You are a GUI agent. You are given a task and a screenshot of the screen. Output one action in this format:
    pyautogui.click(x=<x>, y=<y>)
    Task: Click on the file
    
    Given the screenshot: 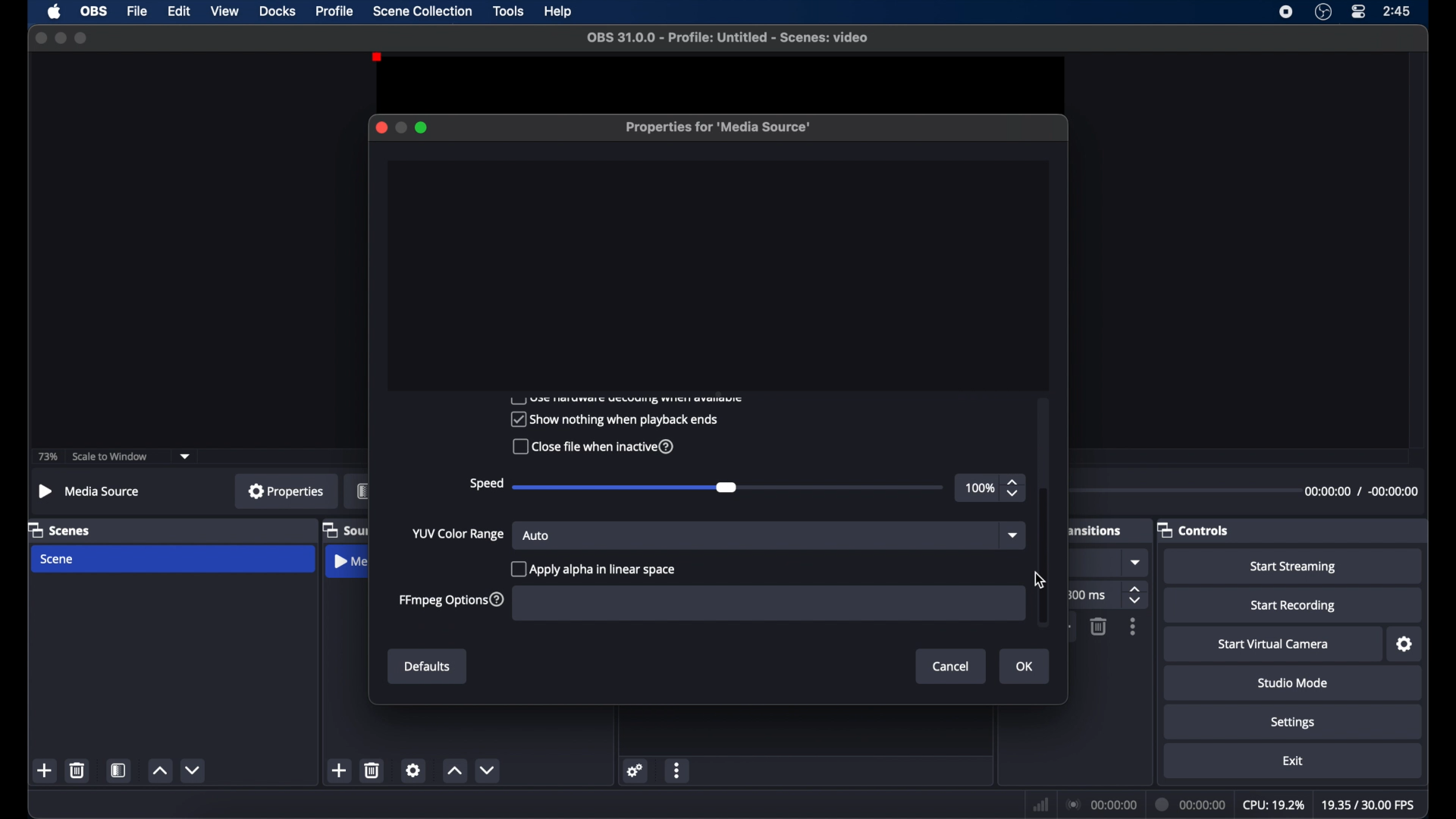 What is the action you would take?
    pyautogui.click(x=138, y=11)
    